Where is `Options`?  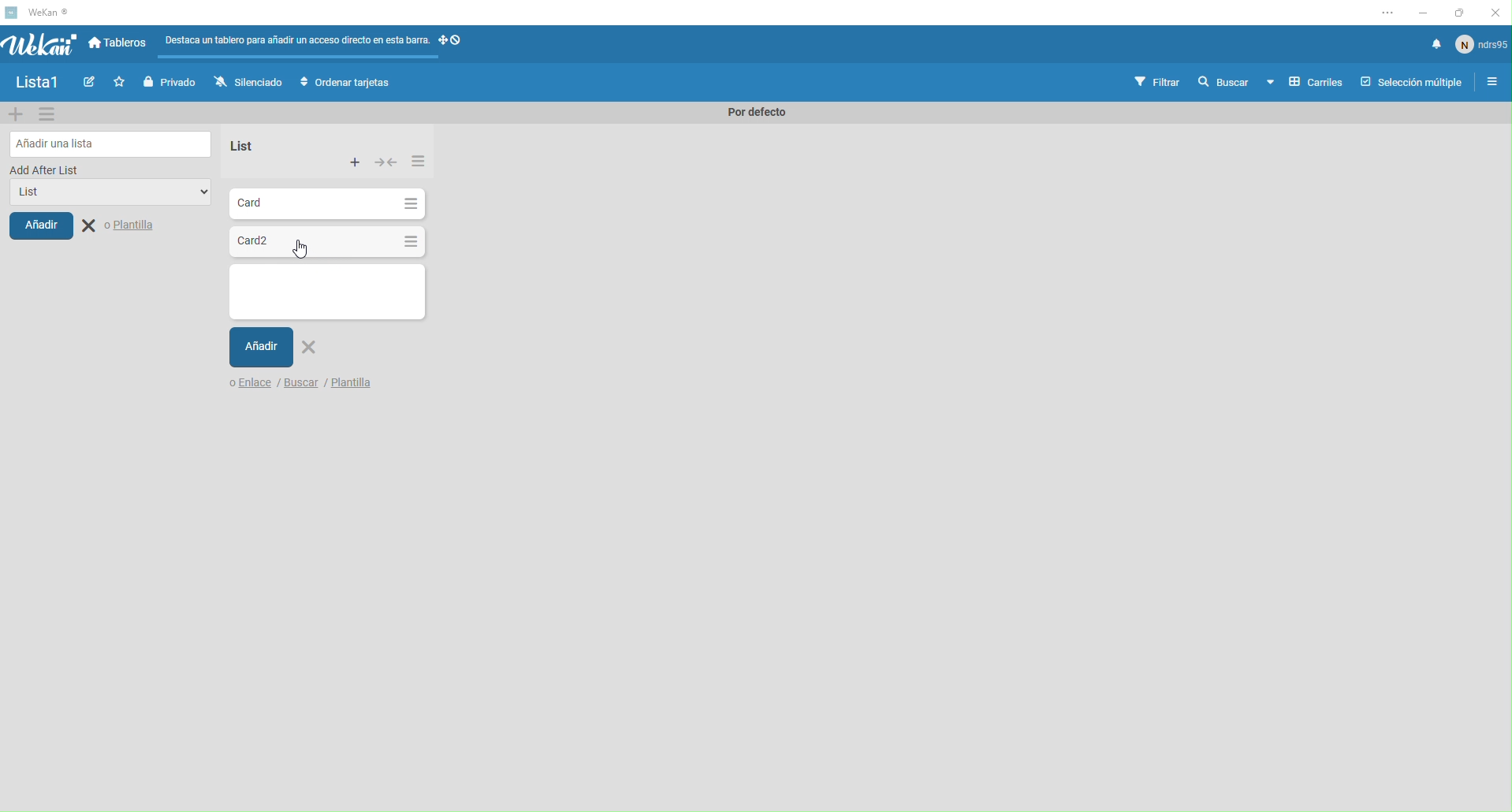 Options is located at coordinates (416, 161).